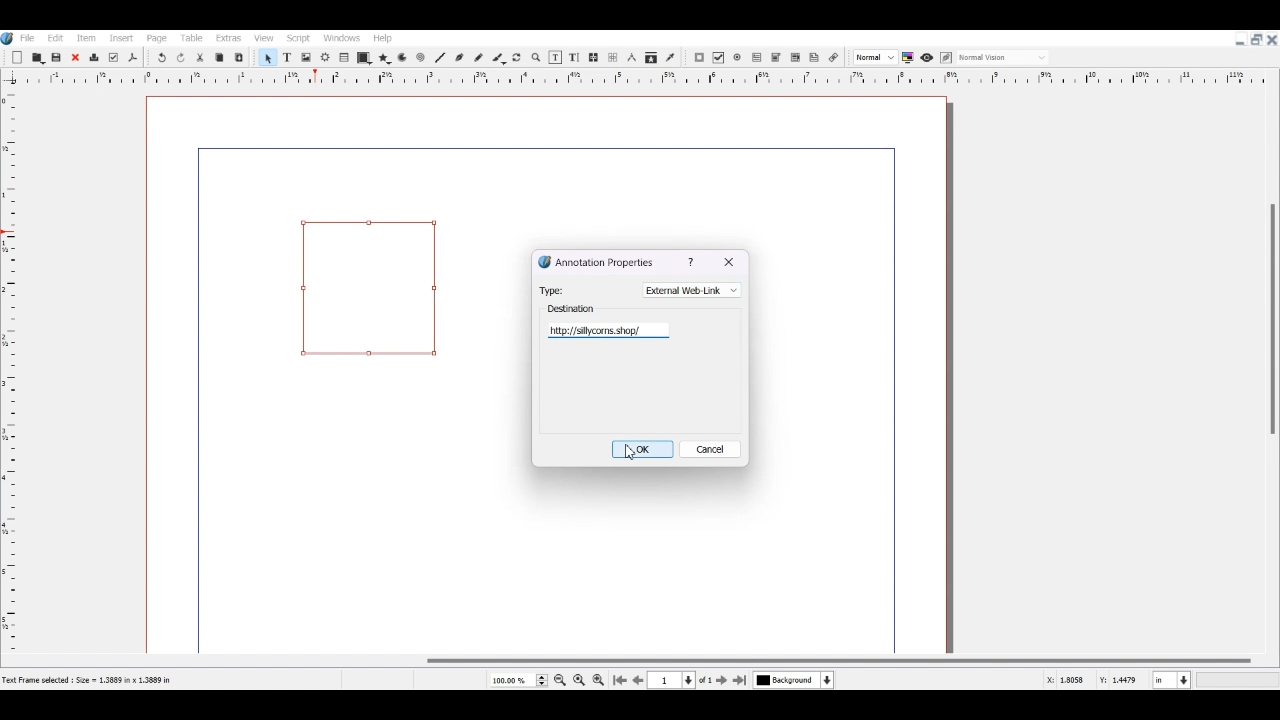  What do you see at coordinates (263, 38) in the screenshot?
I see `View` at bounding box center [263, 38].